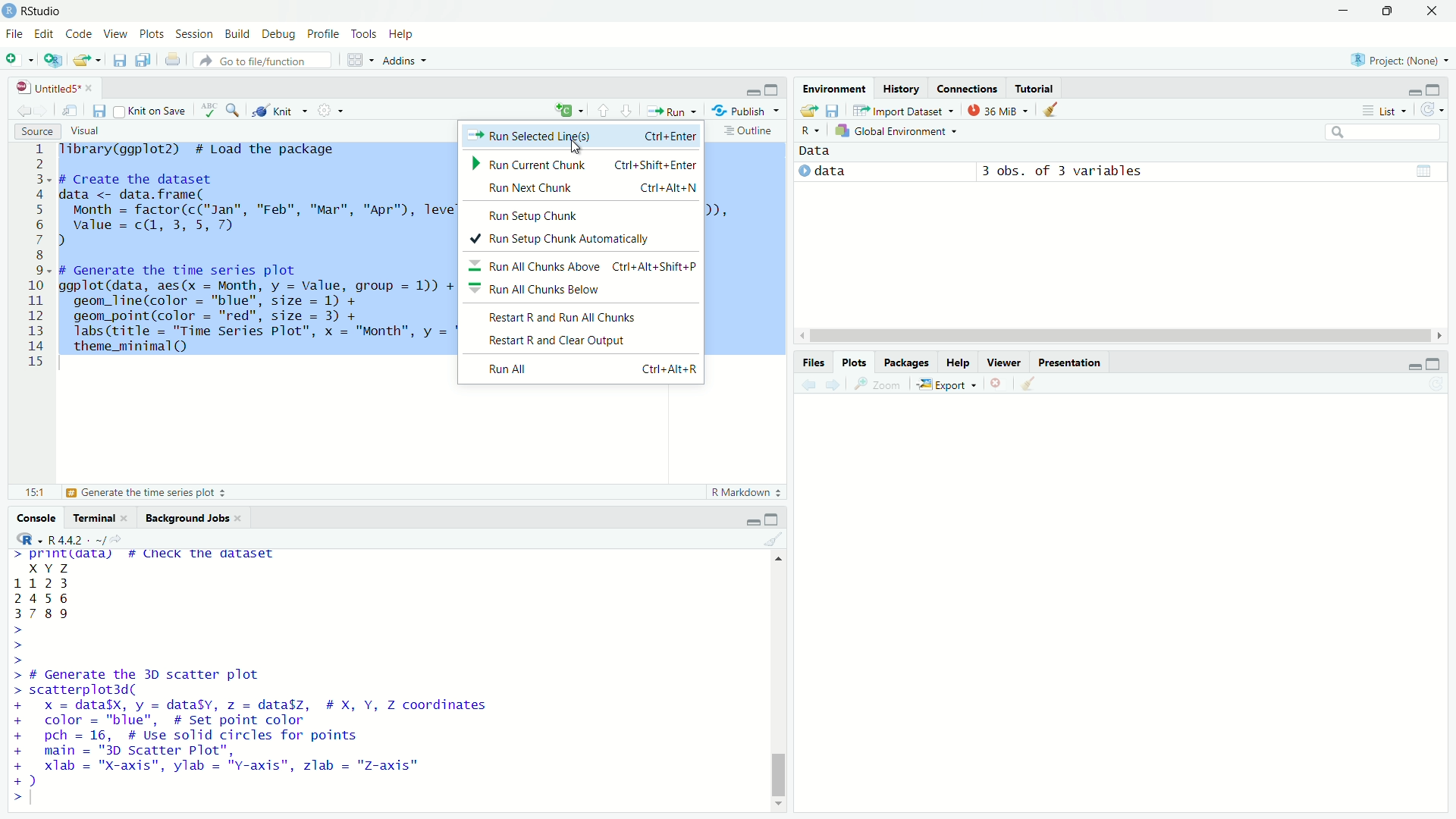 The width and height of the screenshot is (1456, 819). Describe the element at coordinates (831, 87) in the screenshot. I see `environment` at that location.